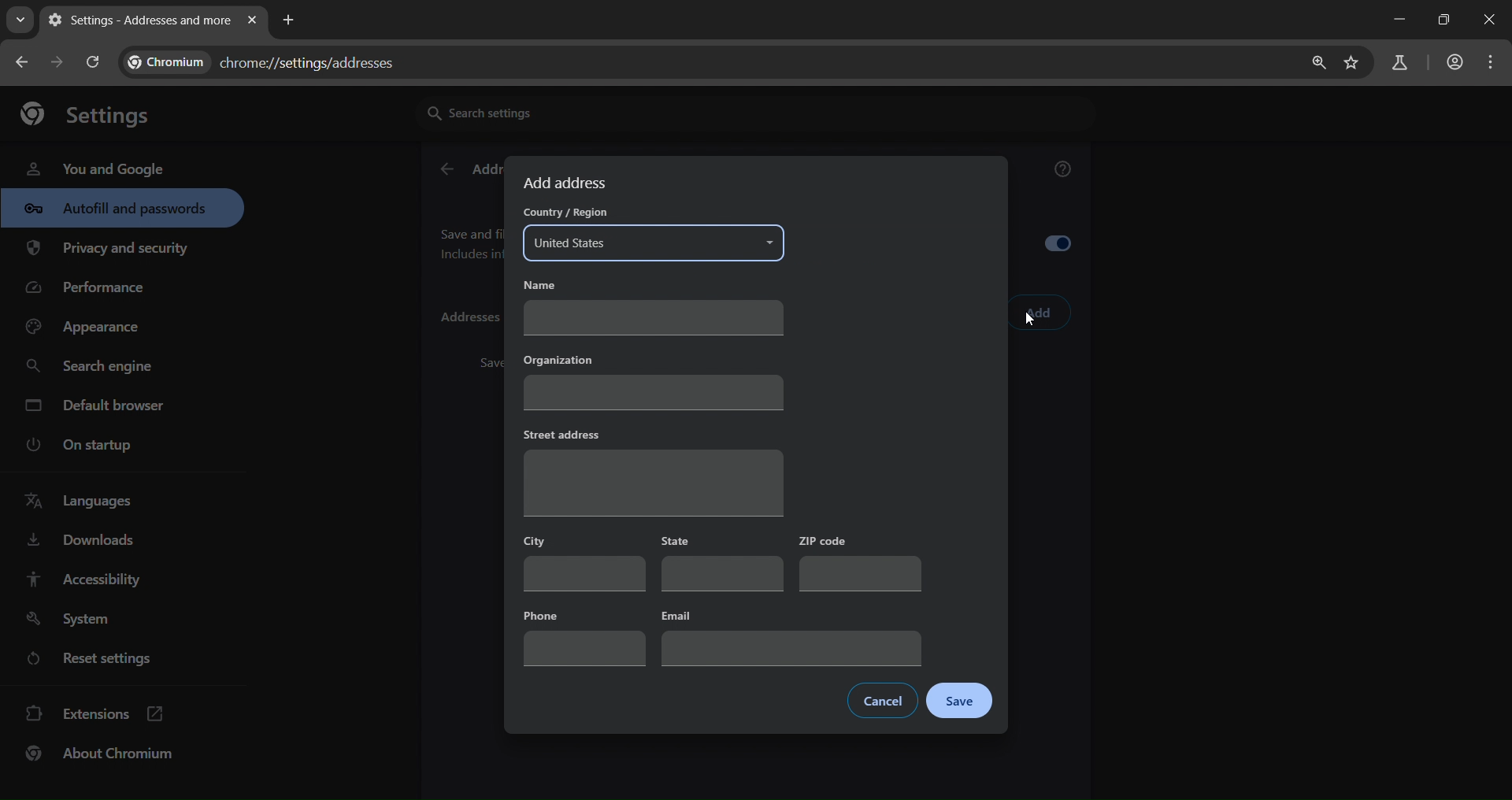 The width and height of the screenshot is (1512, 800). I want to click on default engine, so click(98, 408).